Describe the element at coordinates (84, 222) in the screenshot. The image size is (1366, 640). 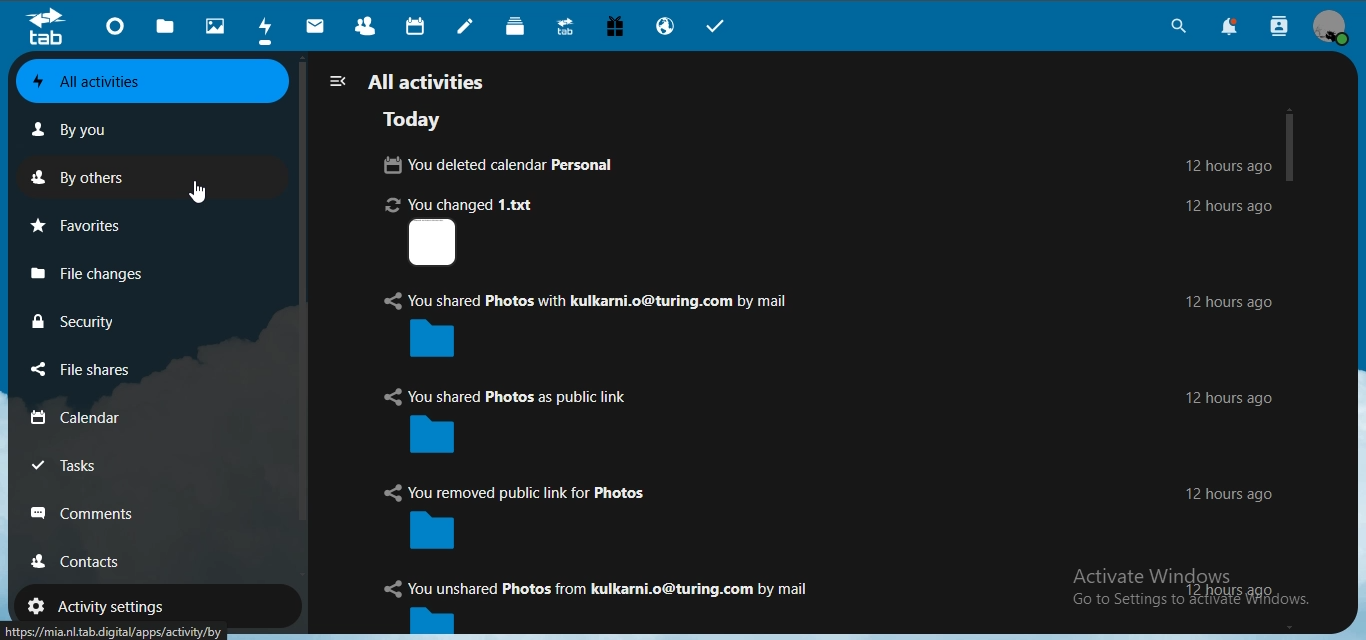
I see `favourites` at that location.